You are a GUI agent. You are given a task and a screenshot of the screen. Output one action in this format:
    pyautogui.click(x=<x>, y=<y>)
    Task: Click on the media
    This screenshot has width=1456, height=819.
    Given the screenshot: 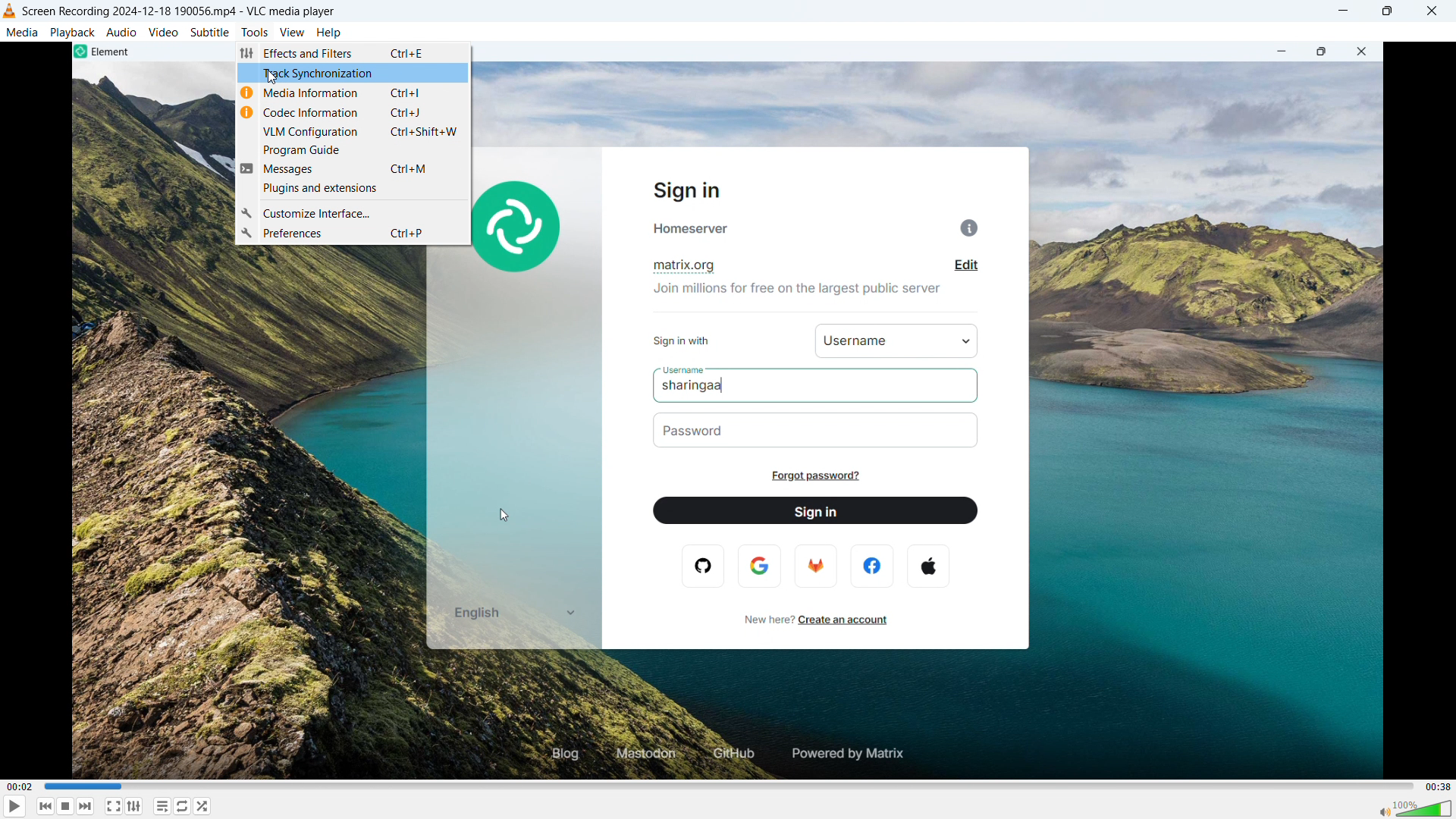 What is the action you would take?
    pyautogui.click(x=24, y=33)
    